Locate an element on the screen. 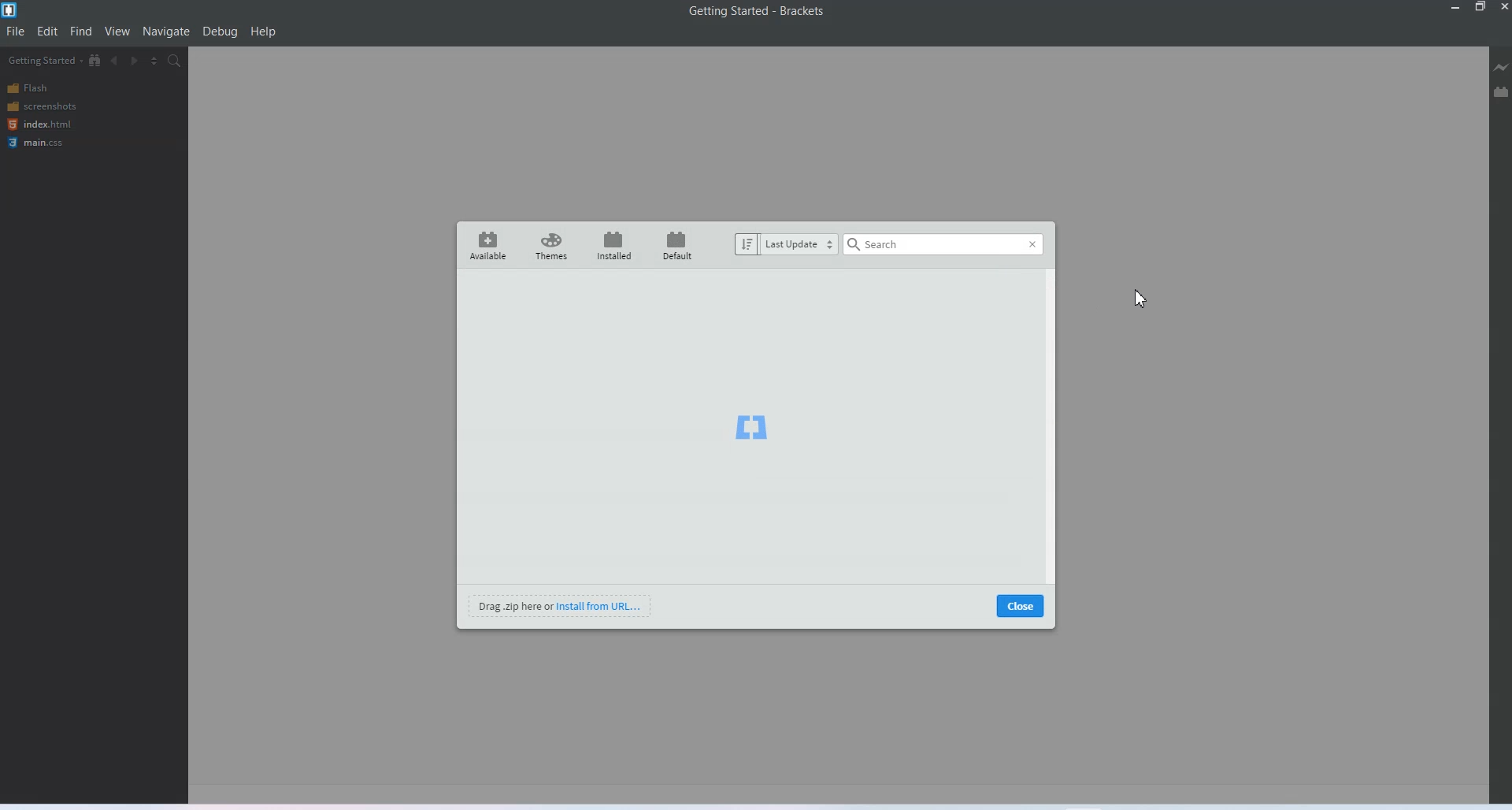 The width and height of the screenshot is (1512, 810). Close is located at coordinates (1021, 605).